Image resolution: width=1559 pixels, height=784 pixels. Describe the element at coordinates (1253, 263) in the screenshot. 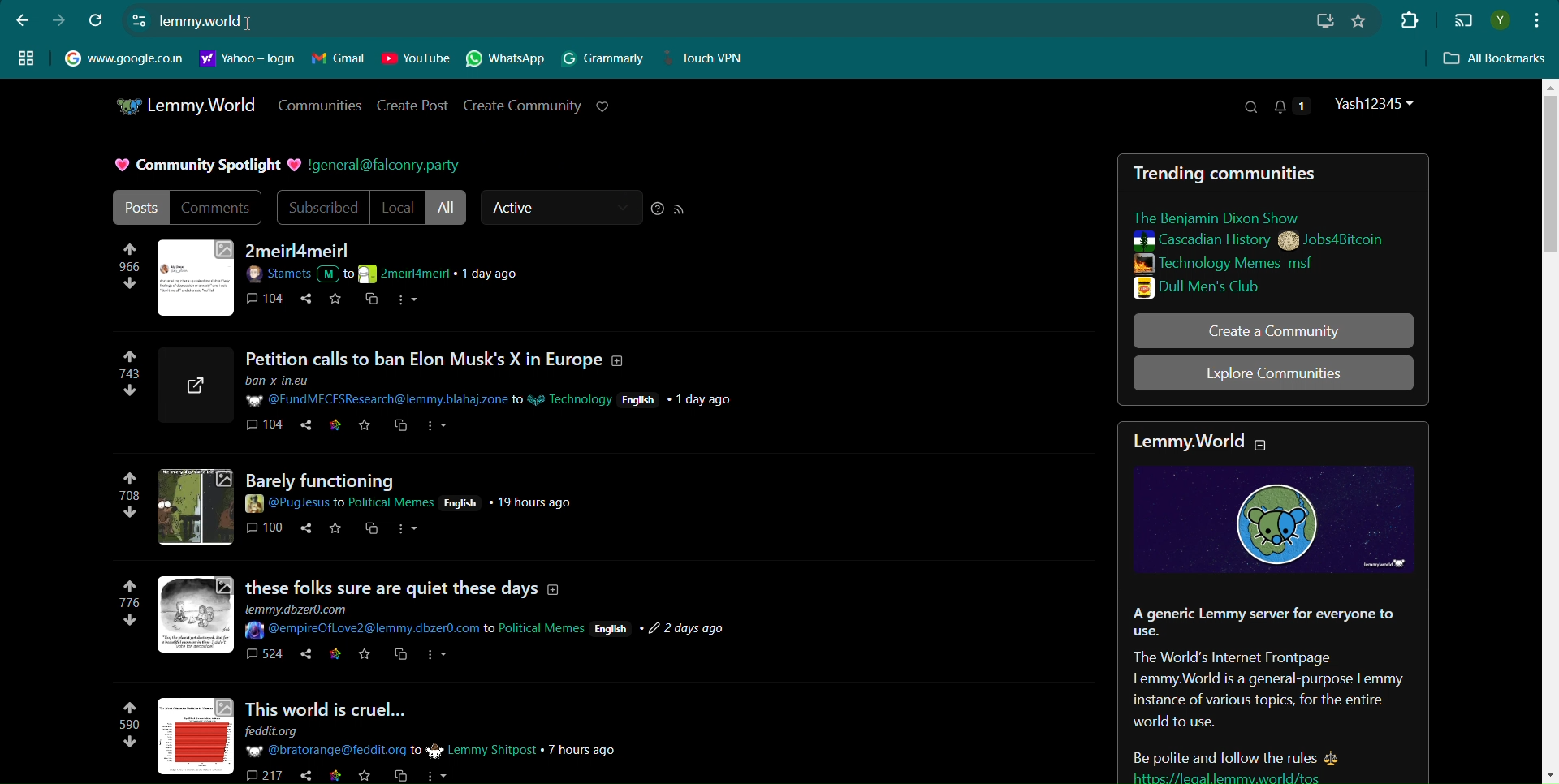

I see `Technology meme msf` at that location.